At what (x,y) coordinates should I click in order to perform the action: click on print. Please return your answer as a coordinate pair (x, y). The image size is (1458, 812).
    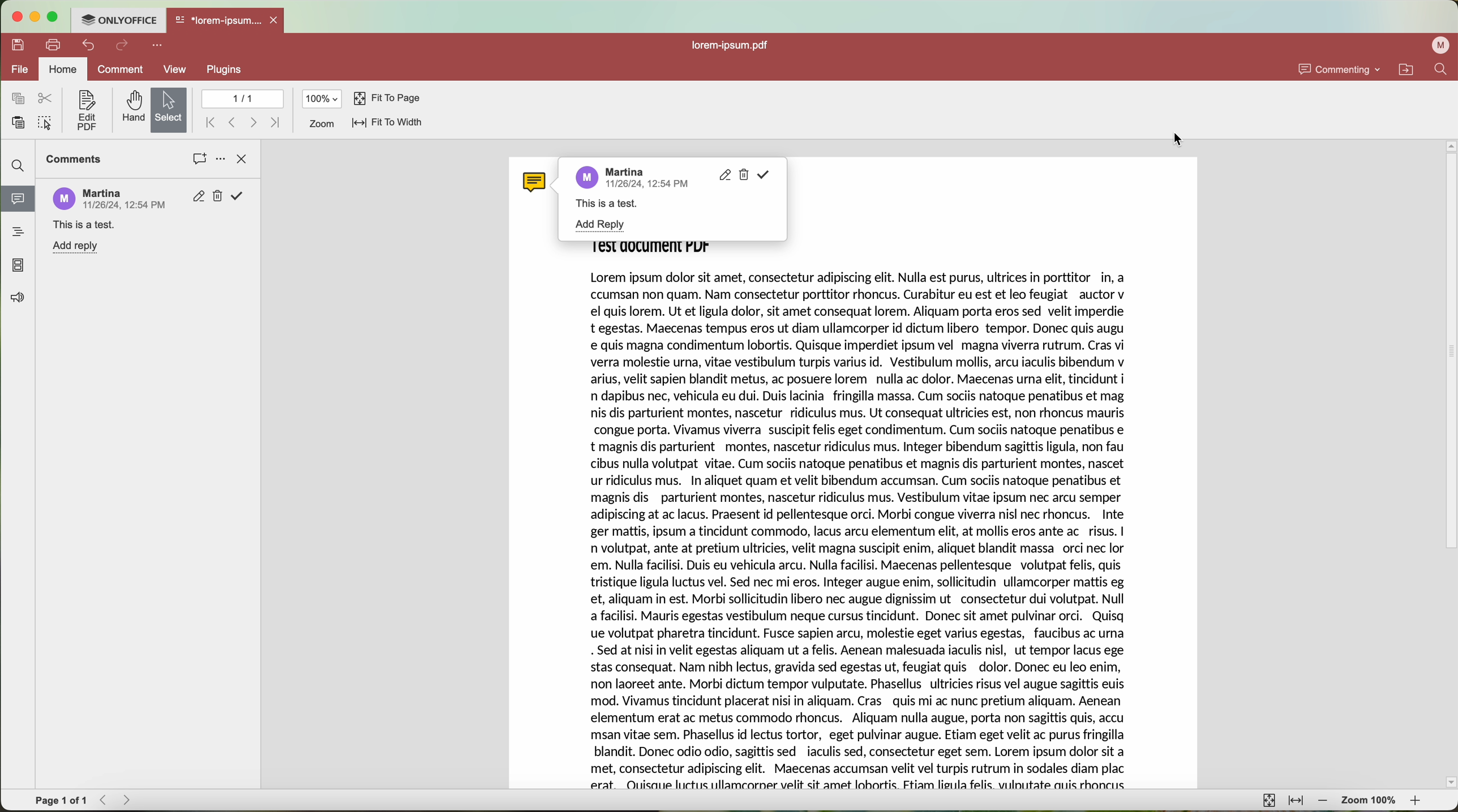
    Looking at the image, I should click on (53, 46).